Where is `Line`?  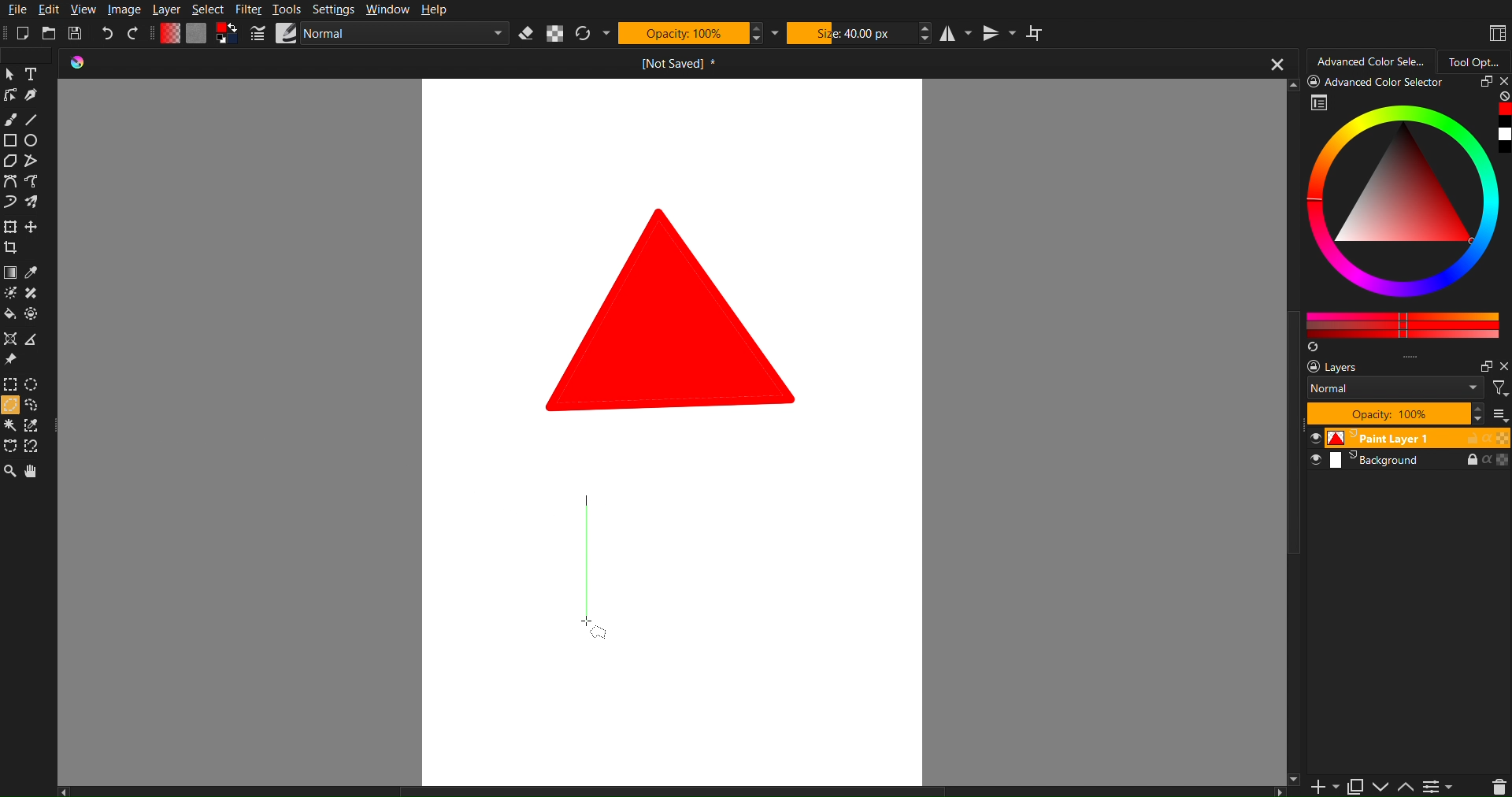
Line is located at coordinates (41, 119).